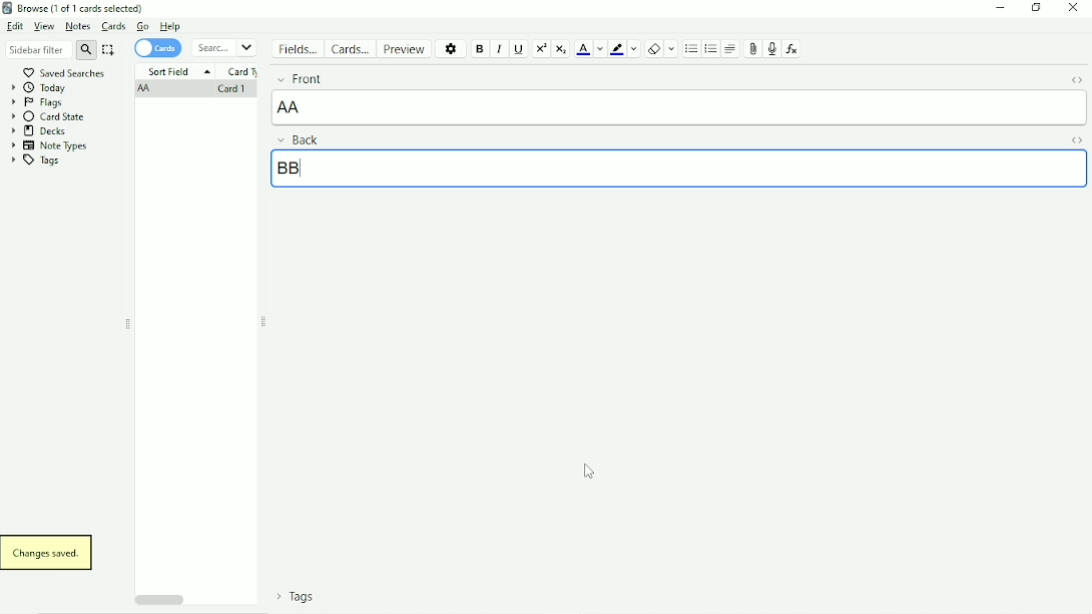 Image resolution: width=1092 pixels, height=614 pixels. Describe the element at coordinates (51, 49) in the screenshot. I see `Sidebar filter` at that location.